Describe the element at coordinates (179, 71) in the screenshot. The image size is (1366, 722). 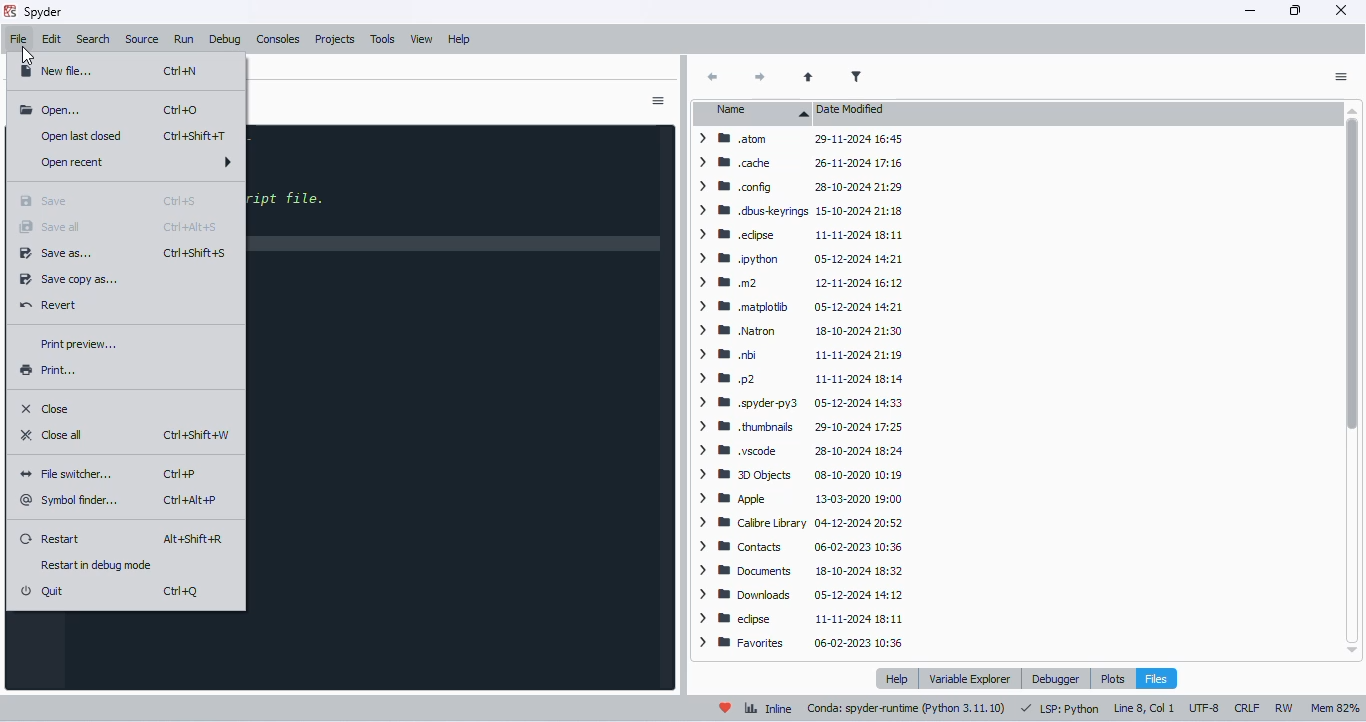
I see `shortcut for new file` at that location.